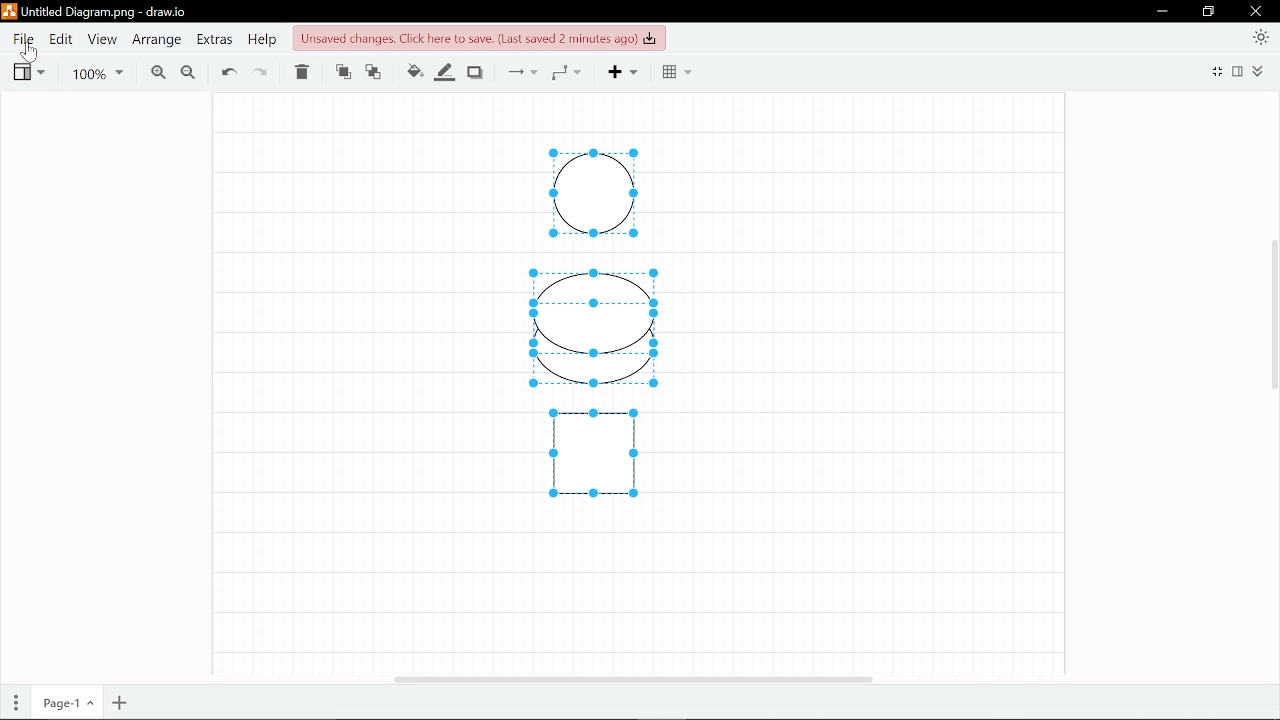 Image resolution: width=1280 pixels, height=720 pixels. I want to click on Horizomtal cursor, so click(632, 678).